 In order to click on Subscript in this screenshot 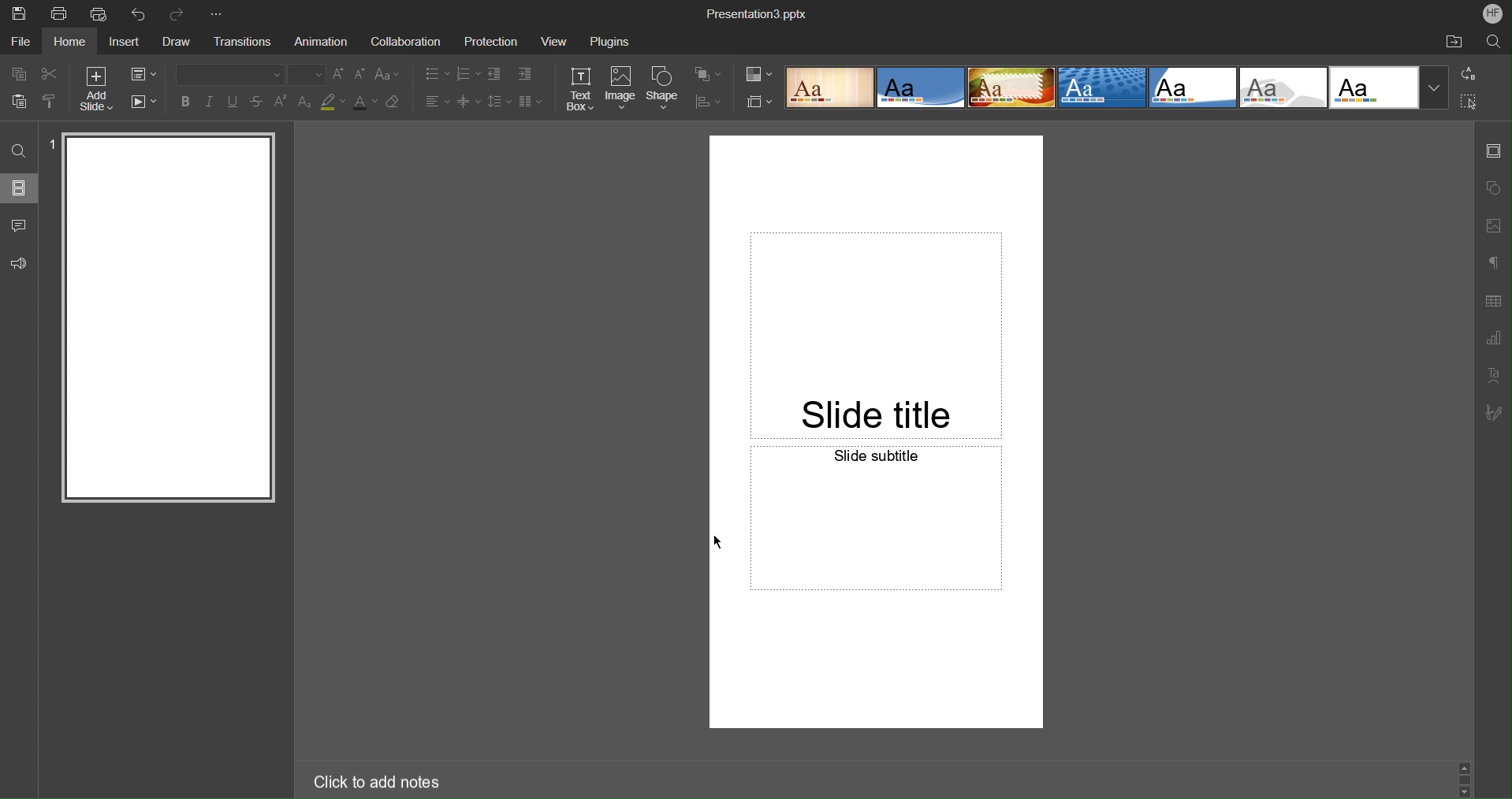, I will do `click(304, 102)`.